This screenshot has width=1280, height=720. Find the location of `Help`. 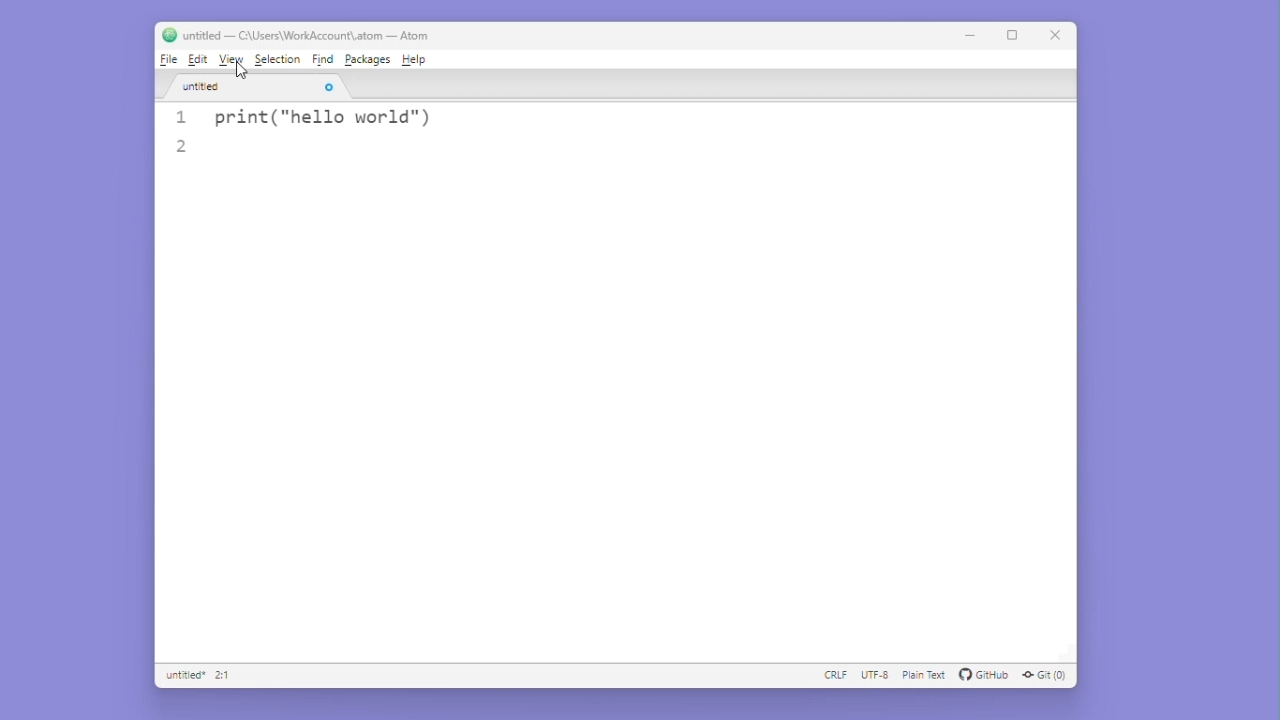

Help is located at coordinates (414, 59).